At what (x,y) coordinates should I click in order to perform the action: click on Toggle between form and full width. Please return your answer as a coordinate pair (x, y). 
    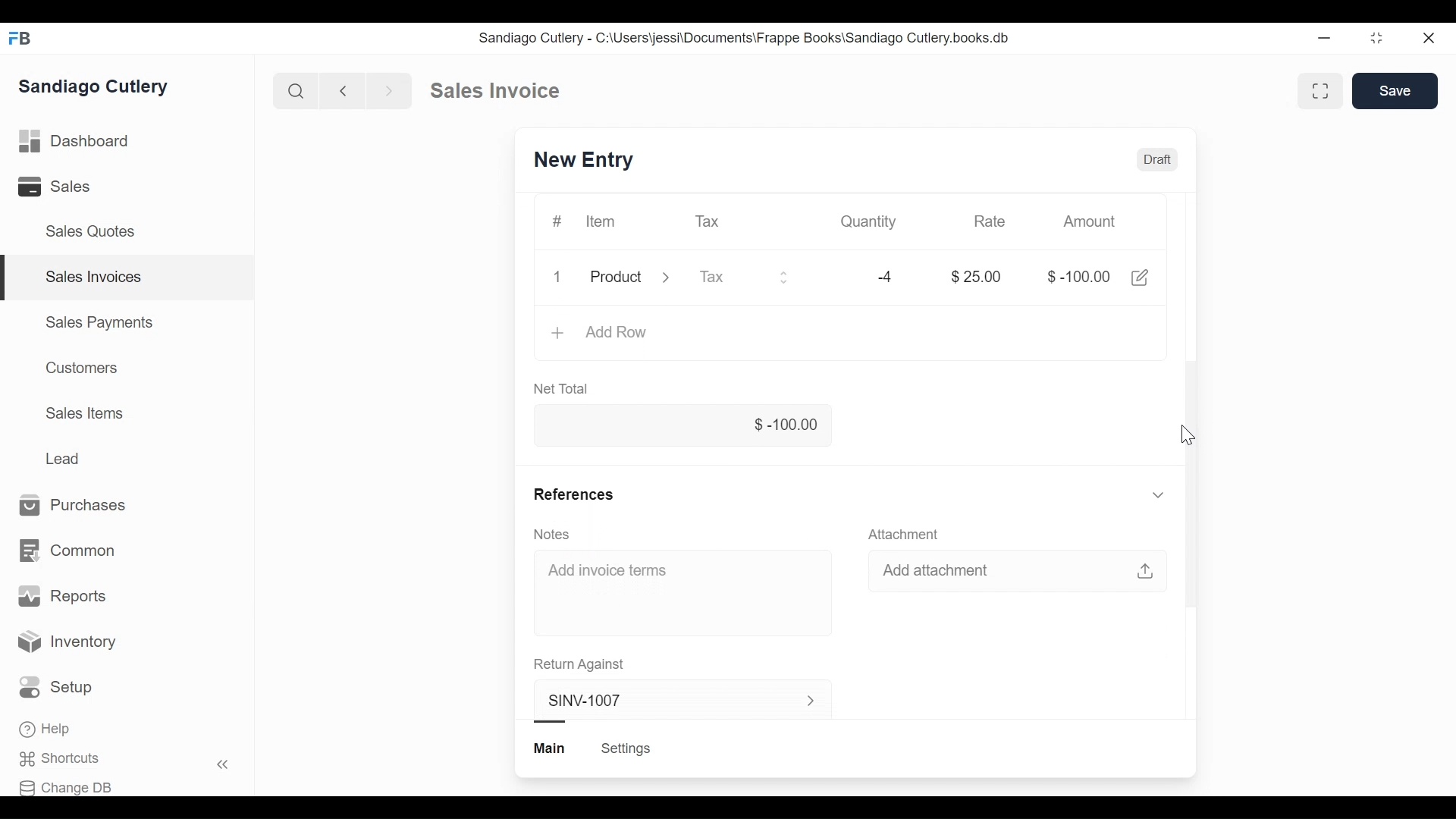
    Looking at the image, I should click on (1321, 91).